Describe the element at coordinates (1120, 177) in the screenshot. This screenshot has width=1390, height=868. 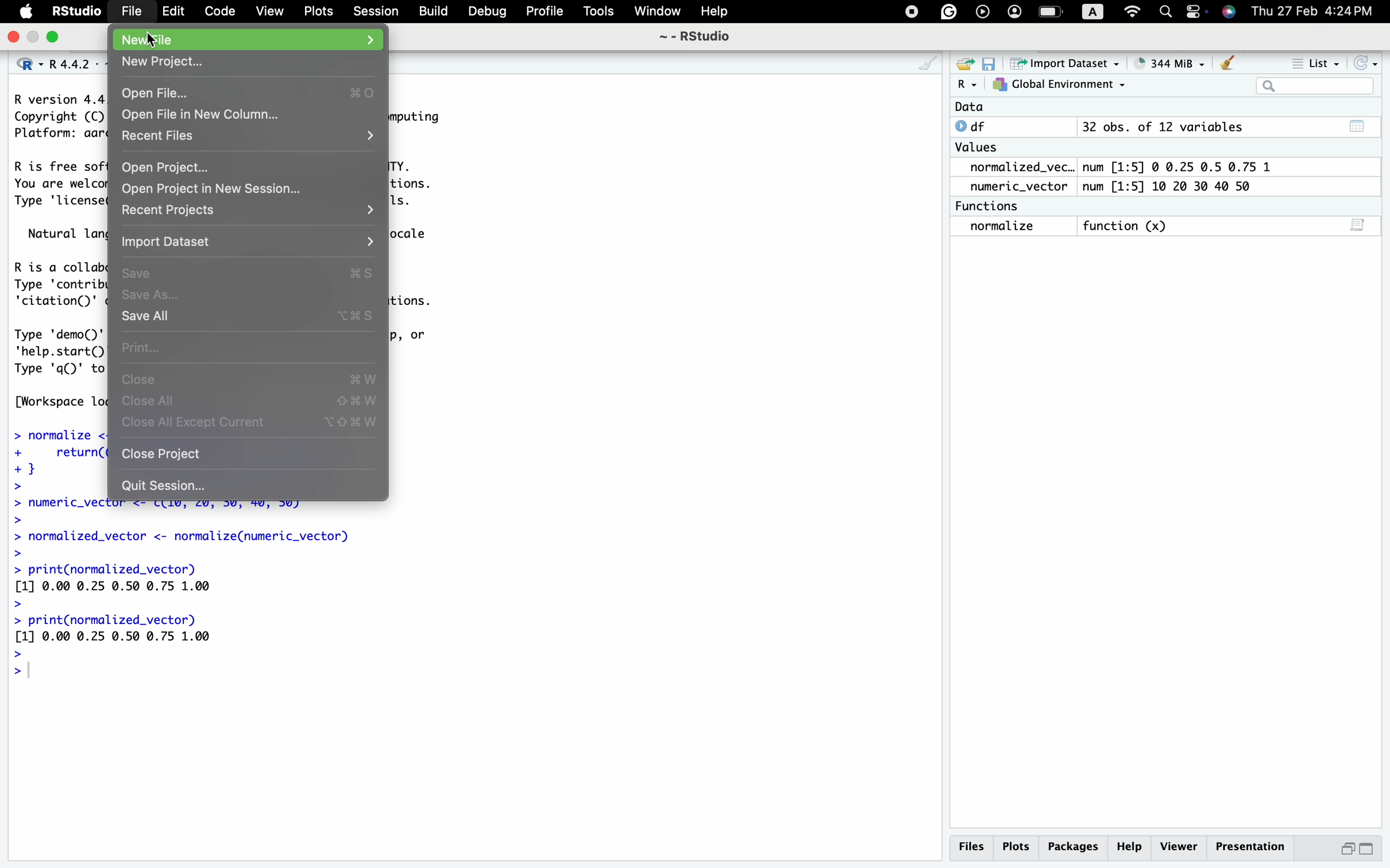
I see `Data
O df 32 obs. of 12 variables
Values
normalized_vec.. num [1:5] @ 0.25 0.5 0.75 1
numeric_vector num [1:5] 10 20 30 40 50
Functions
normalize function (x)` at that location.